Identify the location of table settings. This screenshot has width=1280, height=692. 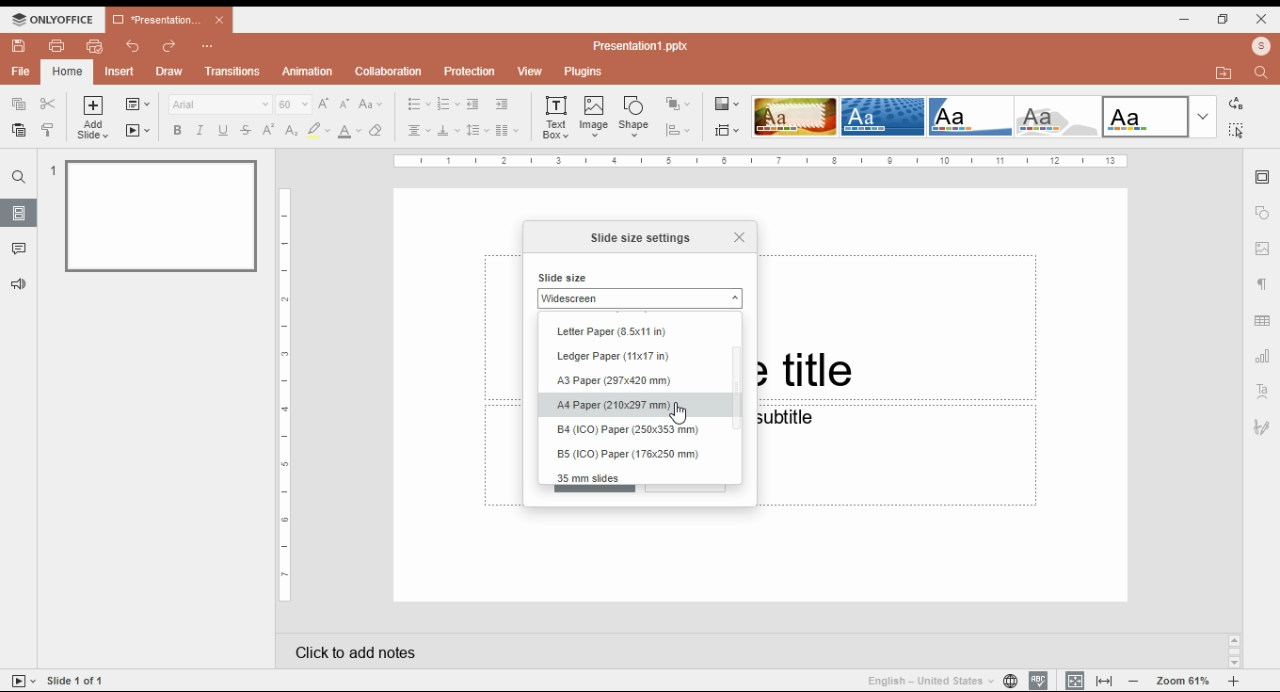
(1264, 323).